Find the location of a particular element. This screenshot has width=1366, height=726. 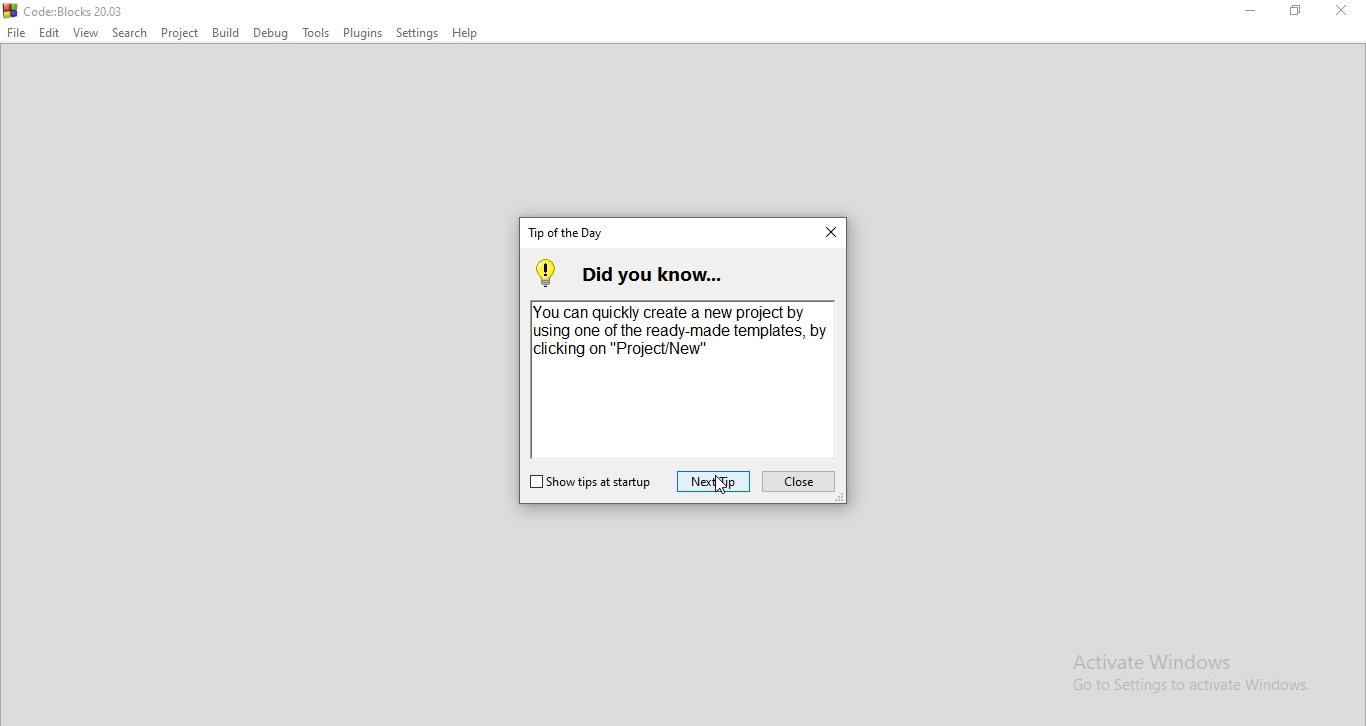

tip of the day is located at coordinates (565, 233).